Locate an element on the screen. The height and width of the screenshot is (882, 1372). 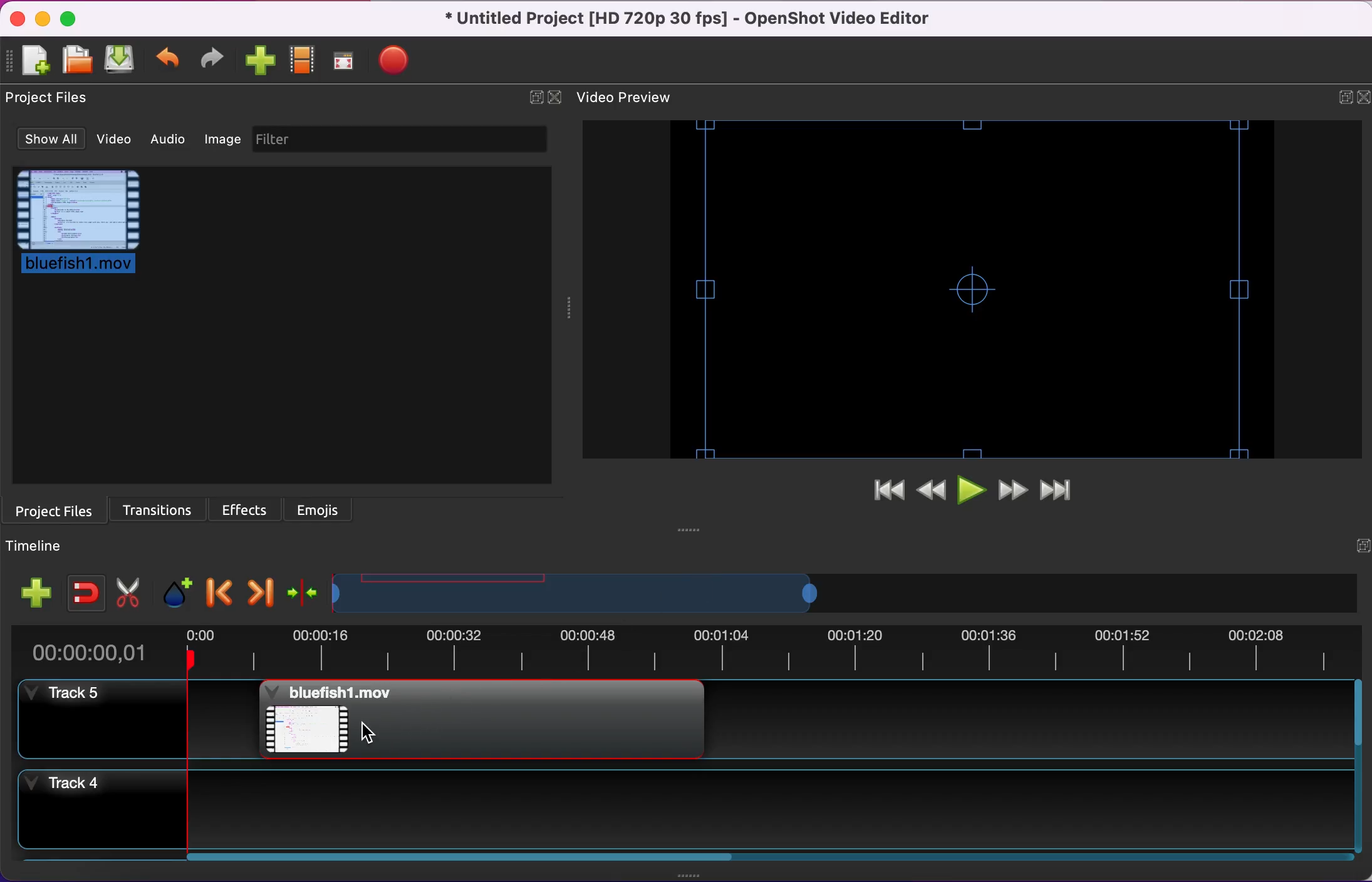
project files is located at coordinates (52, 99).